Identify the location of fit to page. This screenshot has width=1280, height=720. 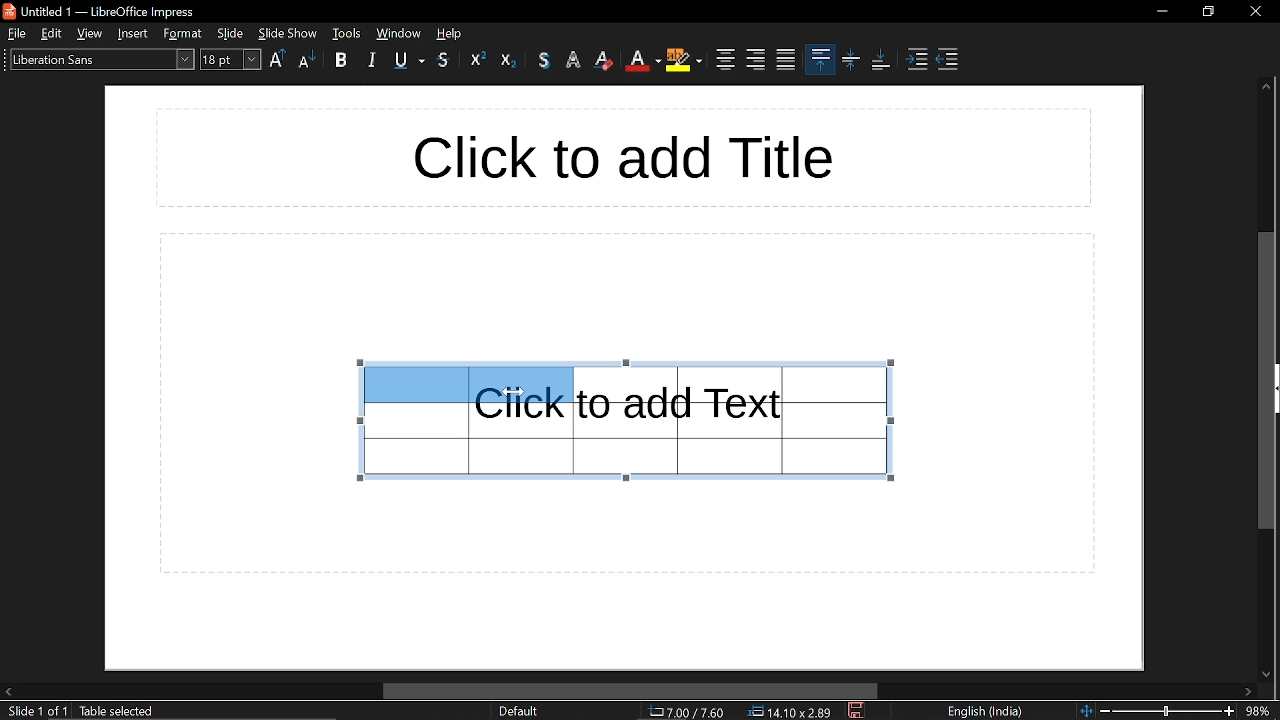
(1085, 710).